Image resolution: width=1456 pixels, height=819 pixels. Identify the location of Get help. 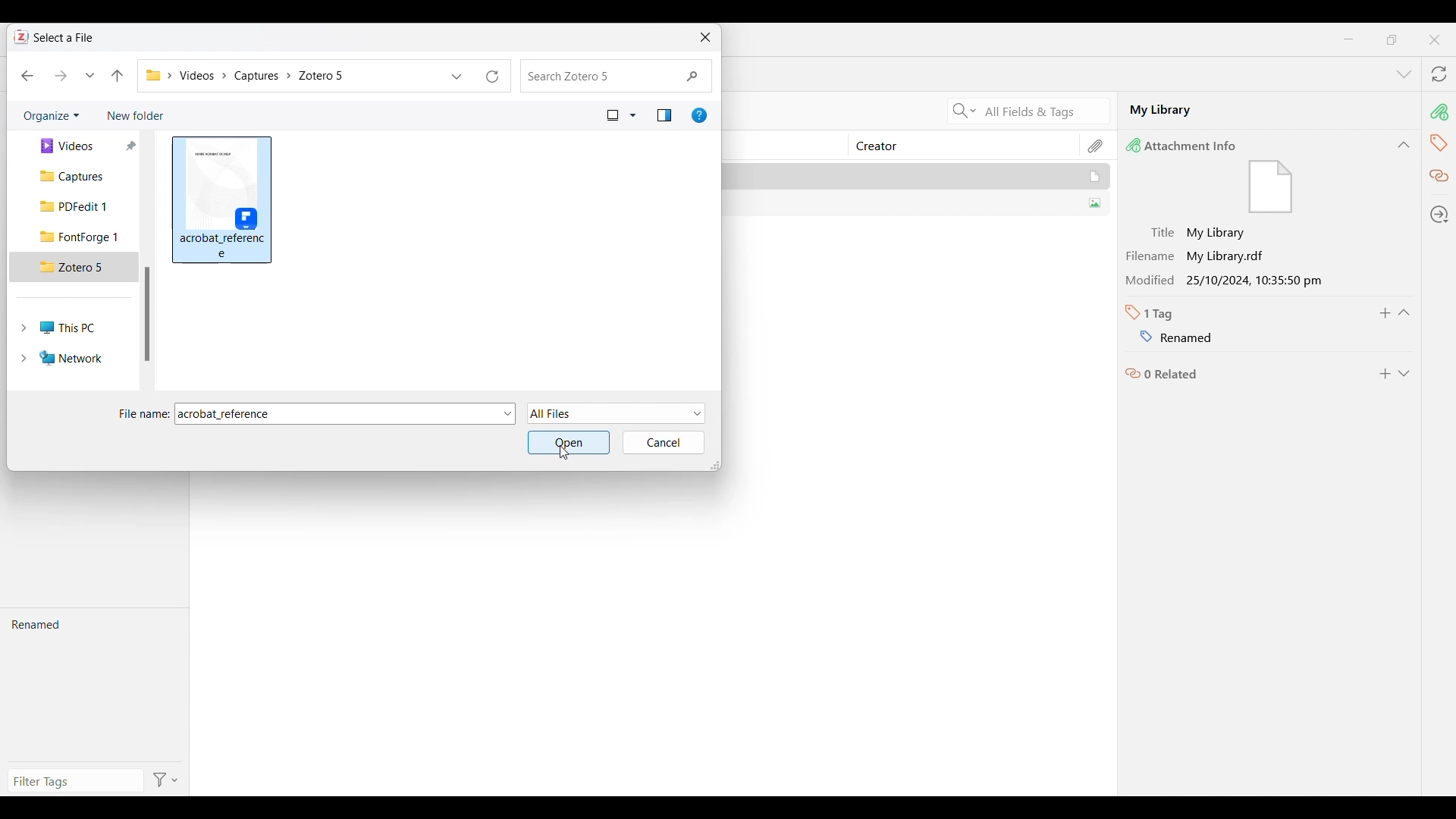
(699, 115).